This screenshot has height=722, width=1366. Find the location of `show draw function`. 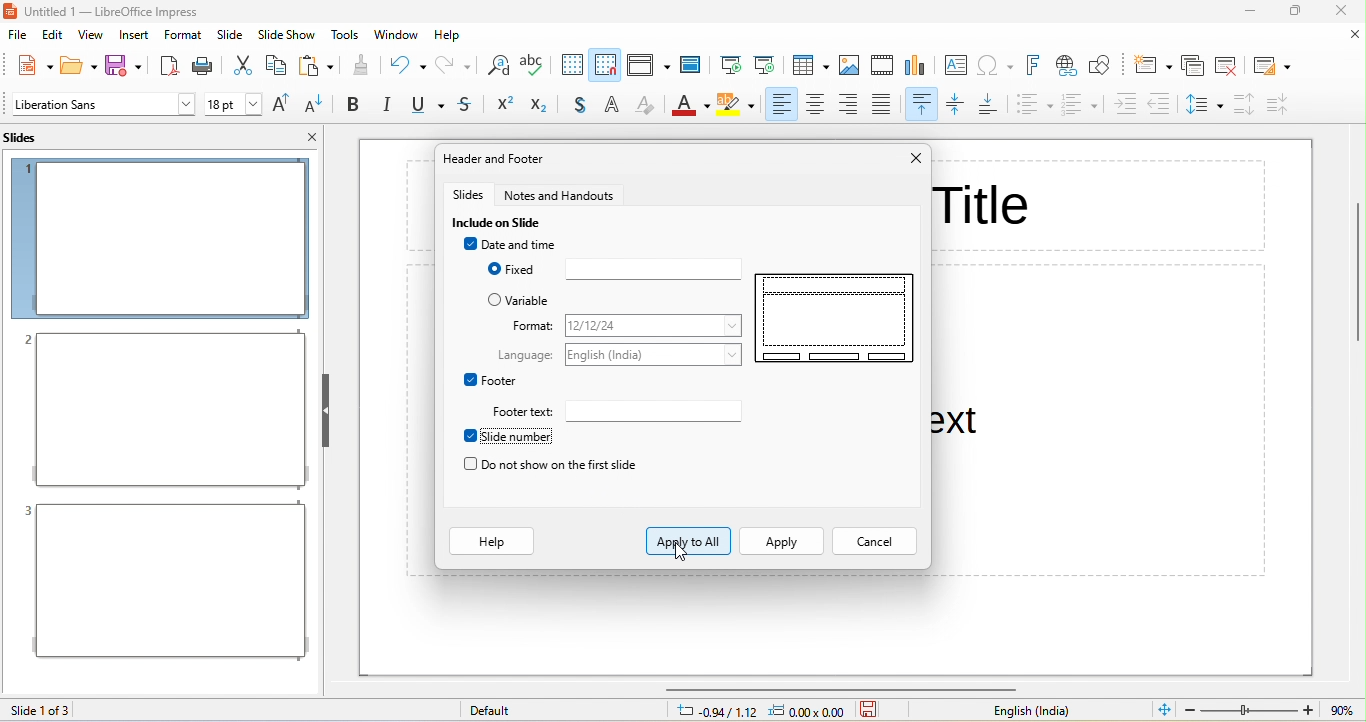

show draw function is located at coordinates (1104, 66).